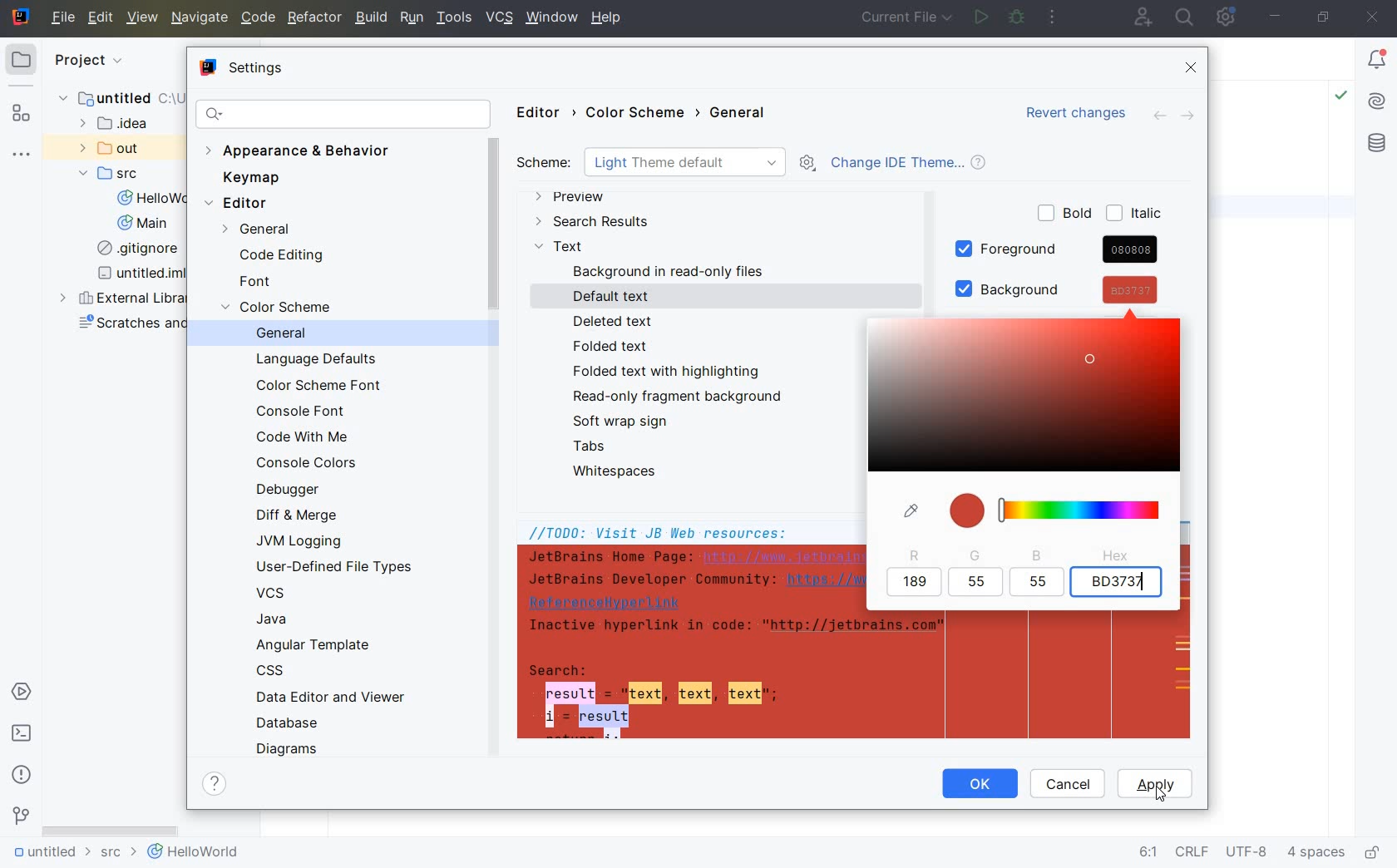 The width and height of the screenshot is (1397, 868). I want to click on code with me, so click(1141, 17).